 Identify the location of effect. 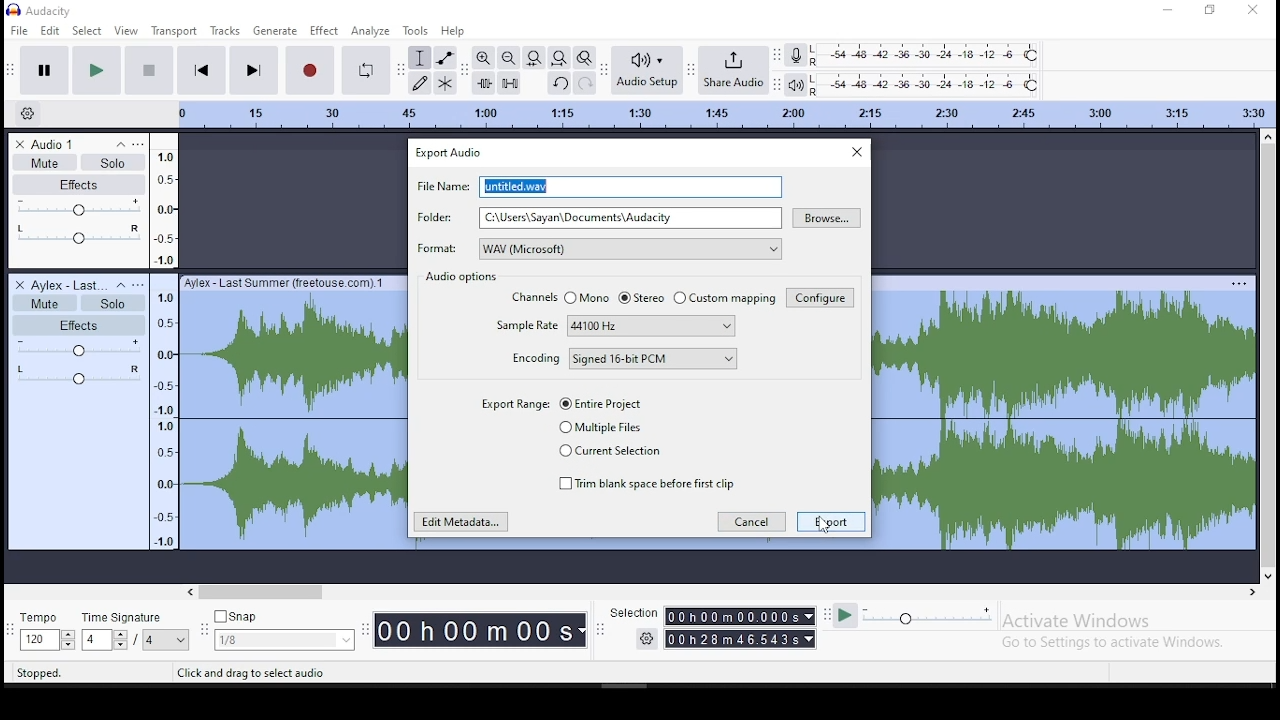
(324, 31).